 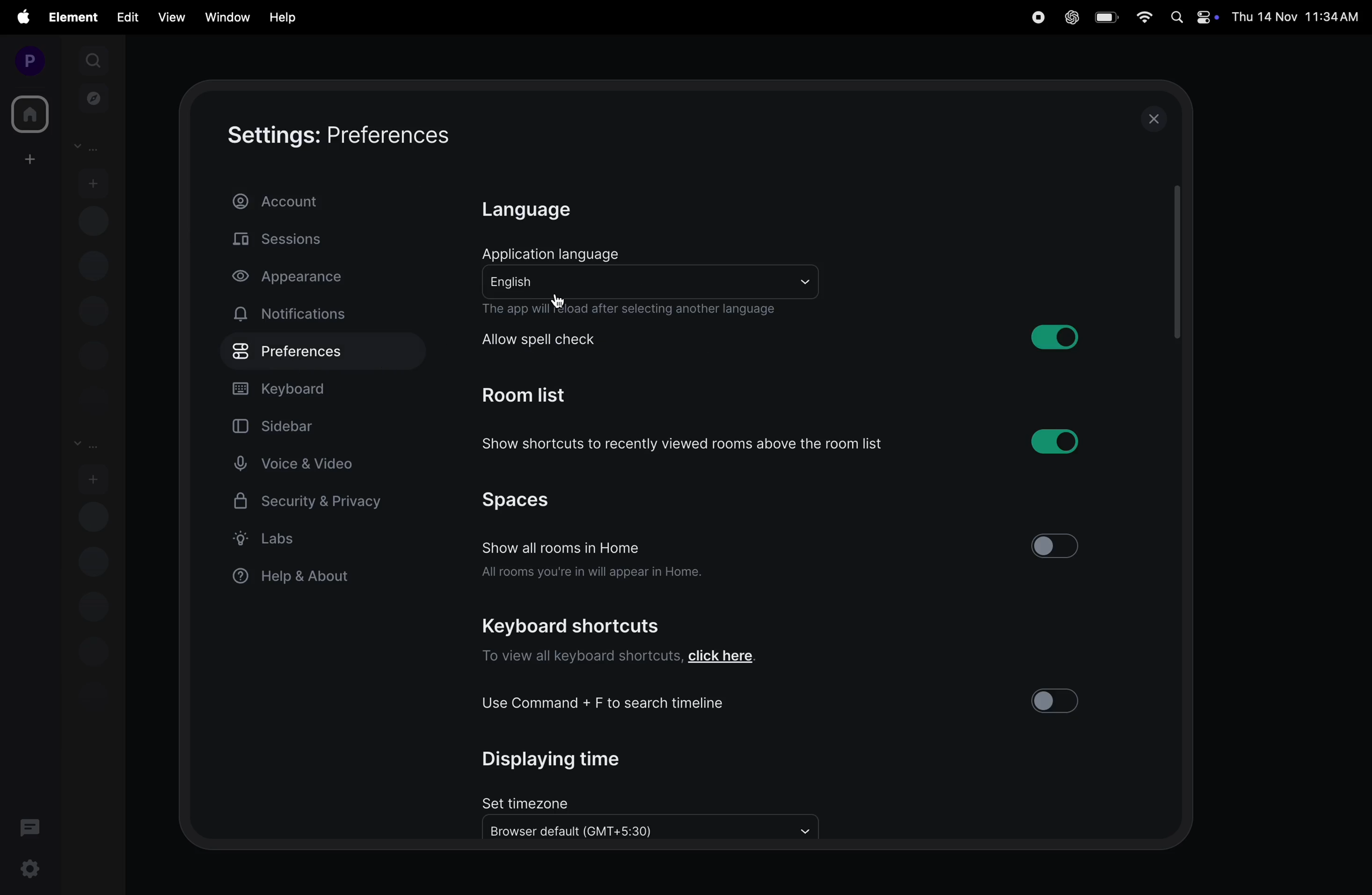 What do you see at coordinates (655, 829) in the screenshot?
I see `browse to all default` at bounding box center [655, 829].